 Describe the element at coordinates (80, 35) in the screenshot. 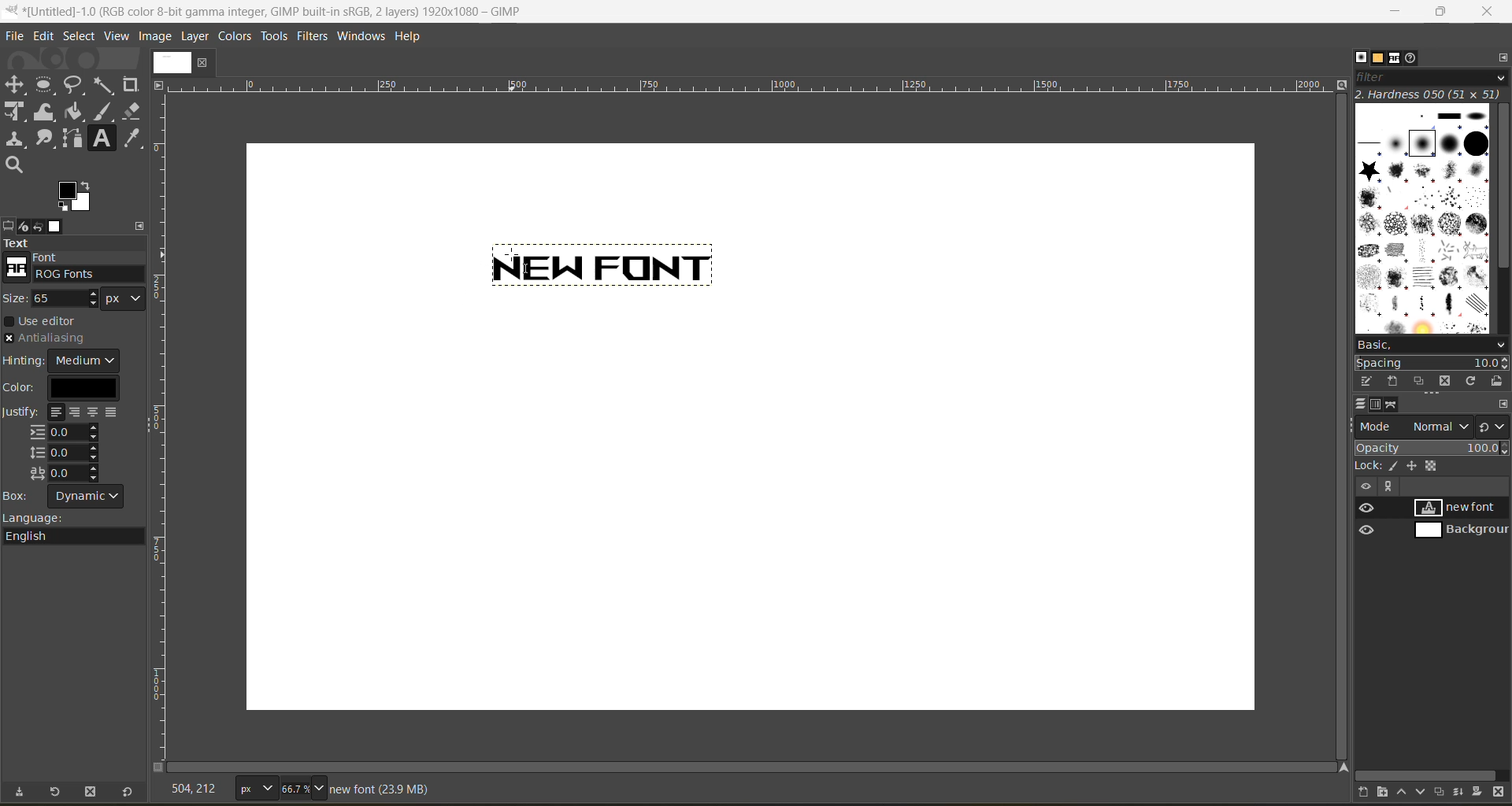

I see `select` at that location.